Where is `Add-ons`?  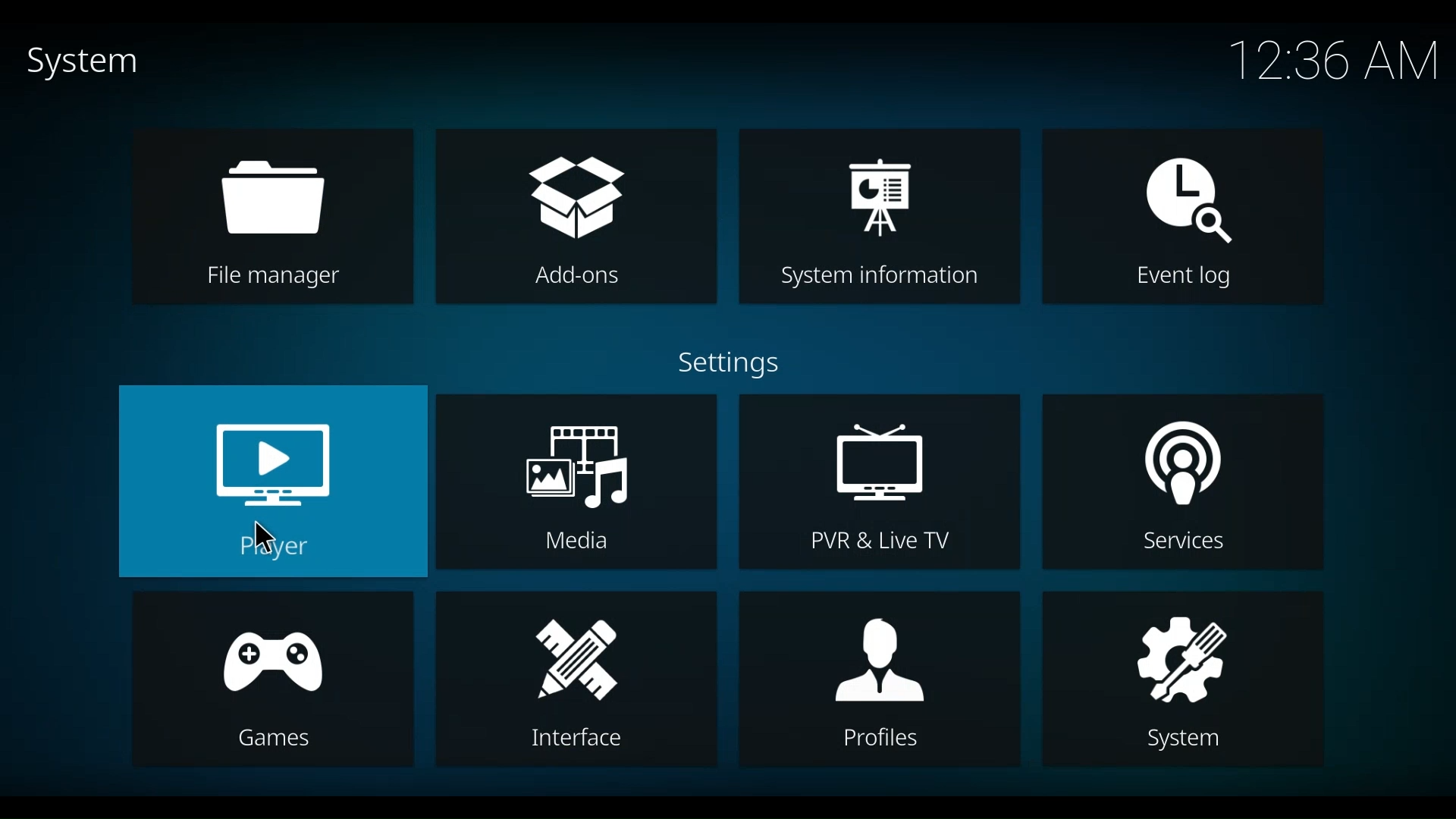
Add-ons is located at coordinates (574, 215).